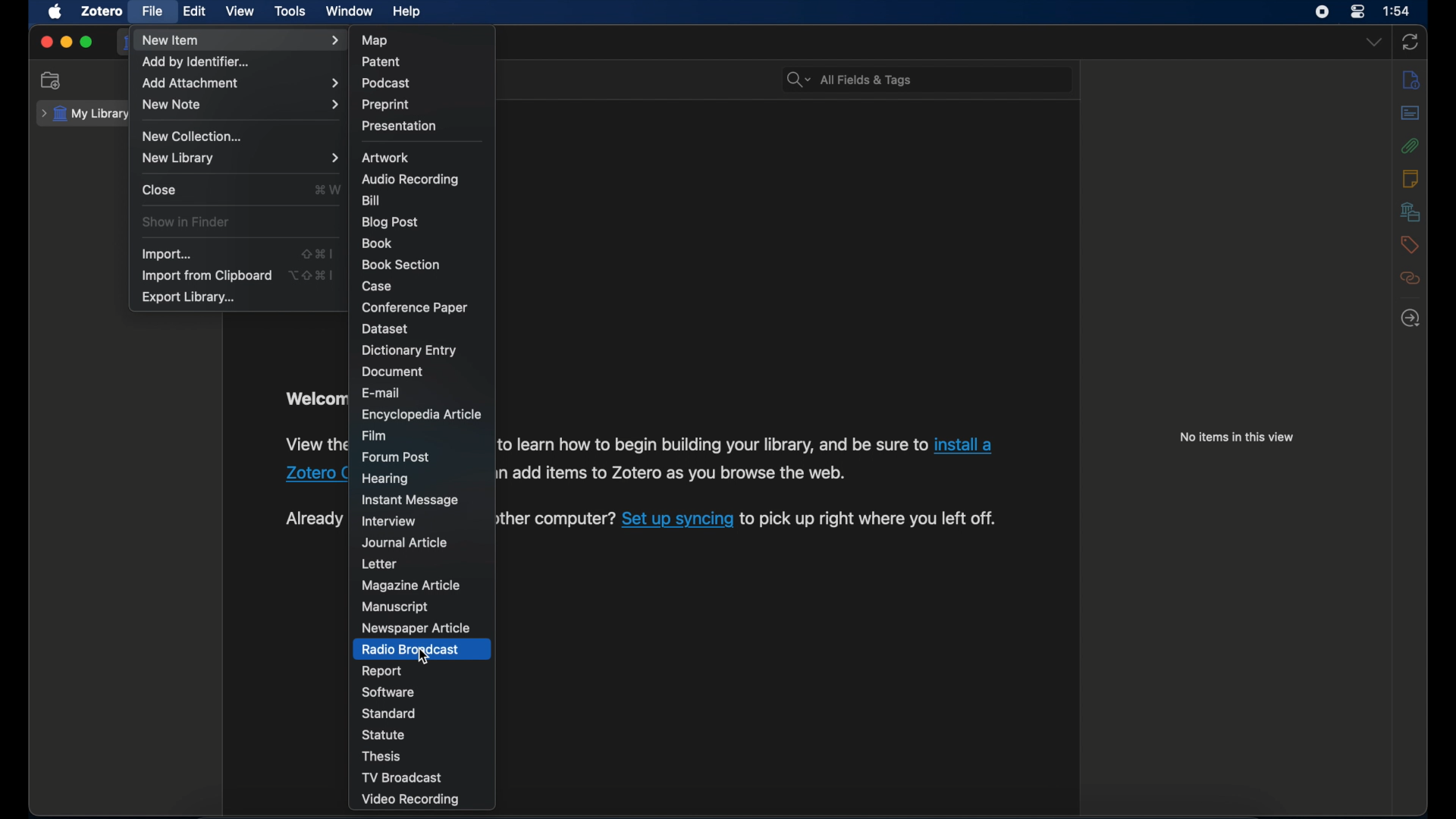 This screenshot has height=819, width=1456. I want to click on option + shift + command + I, so click(310, 275).